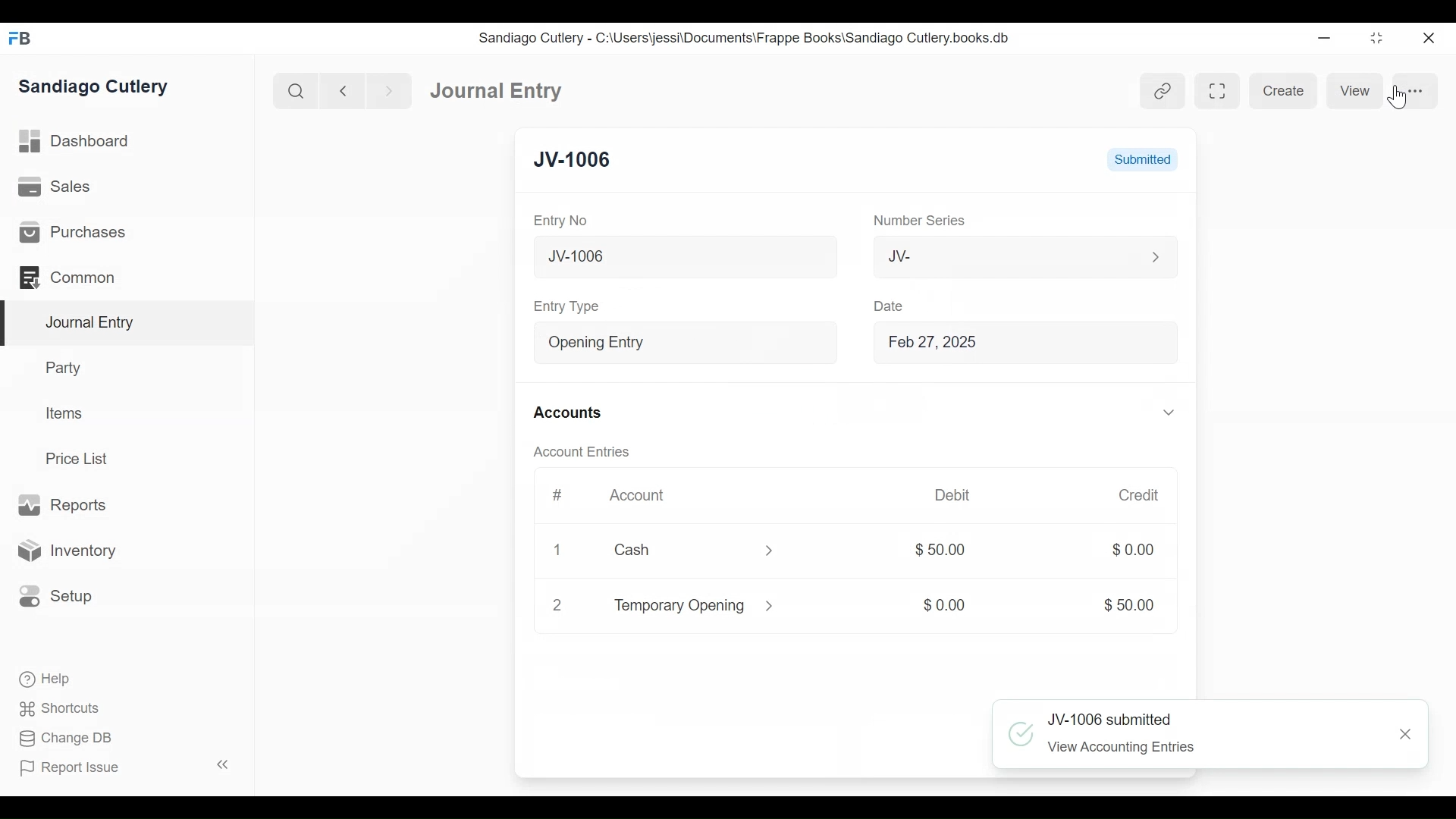  Describe the element at coordinates (62, 413) in the screenshot. I see `Items` at that location.